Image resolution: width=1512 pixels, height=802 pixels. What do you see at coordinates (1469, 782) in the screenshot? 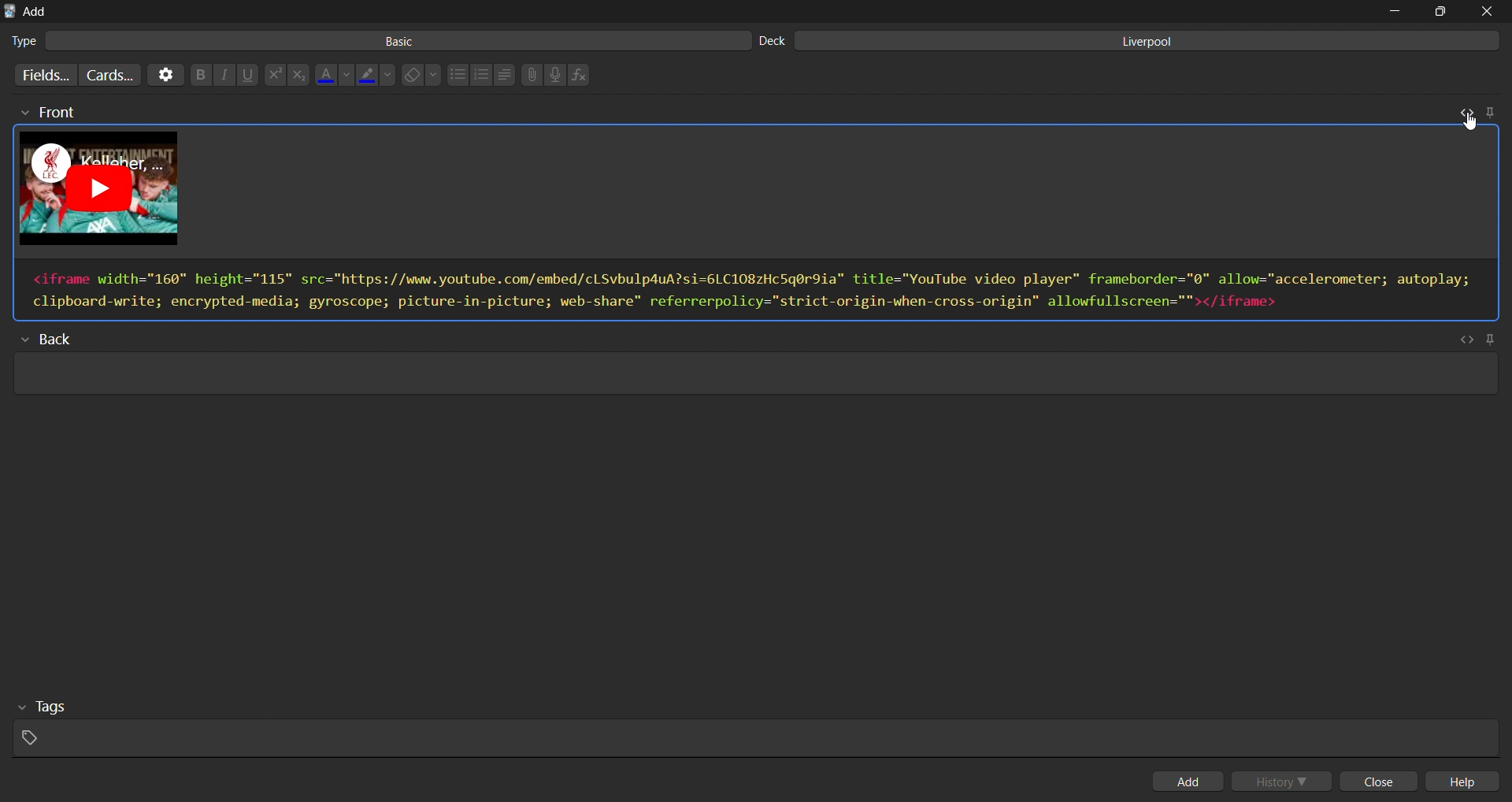
I see `help` at bounding box center [1469, 782].